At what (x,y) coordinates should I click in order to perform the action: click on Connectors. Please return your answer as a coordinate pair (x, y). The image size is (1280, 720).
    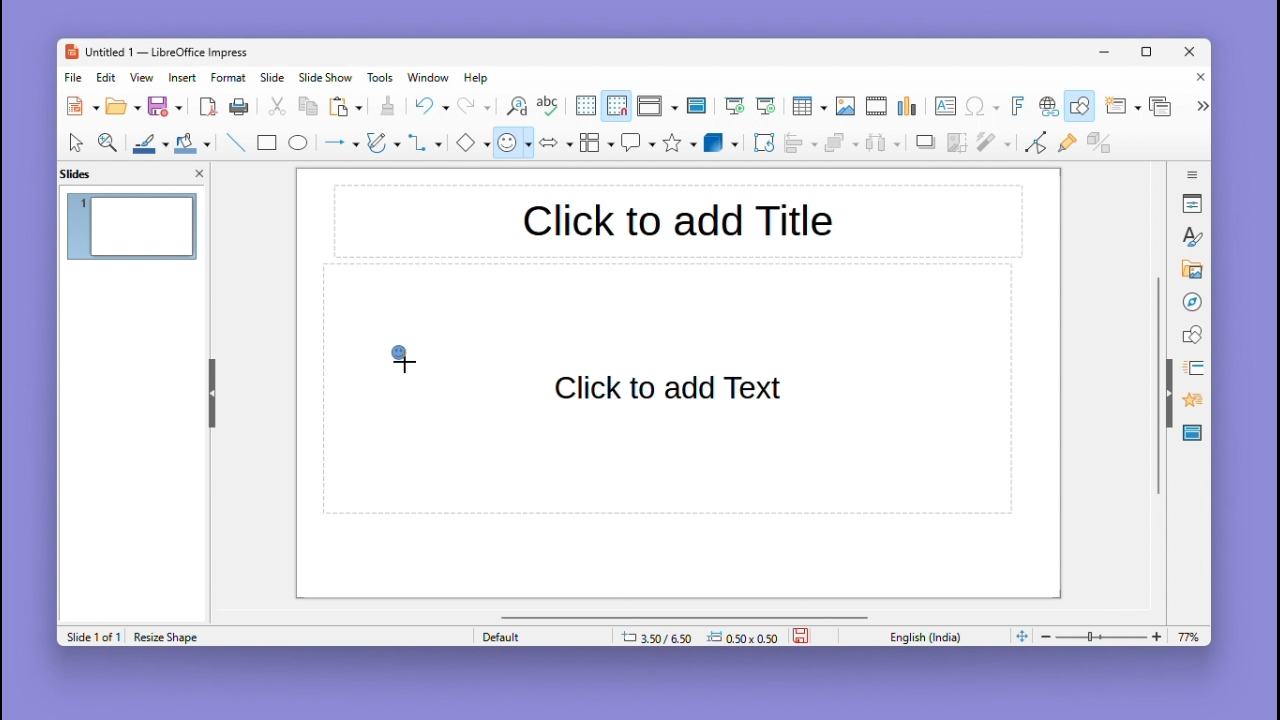
    Looking at the image, I should click on (425, 142).